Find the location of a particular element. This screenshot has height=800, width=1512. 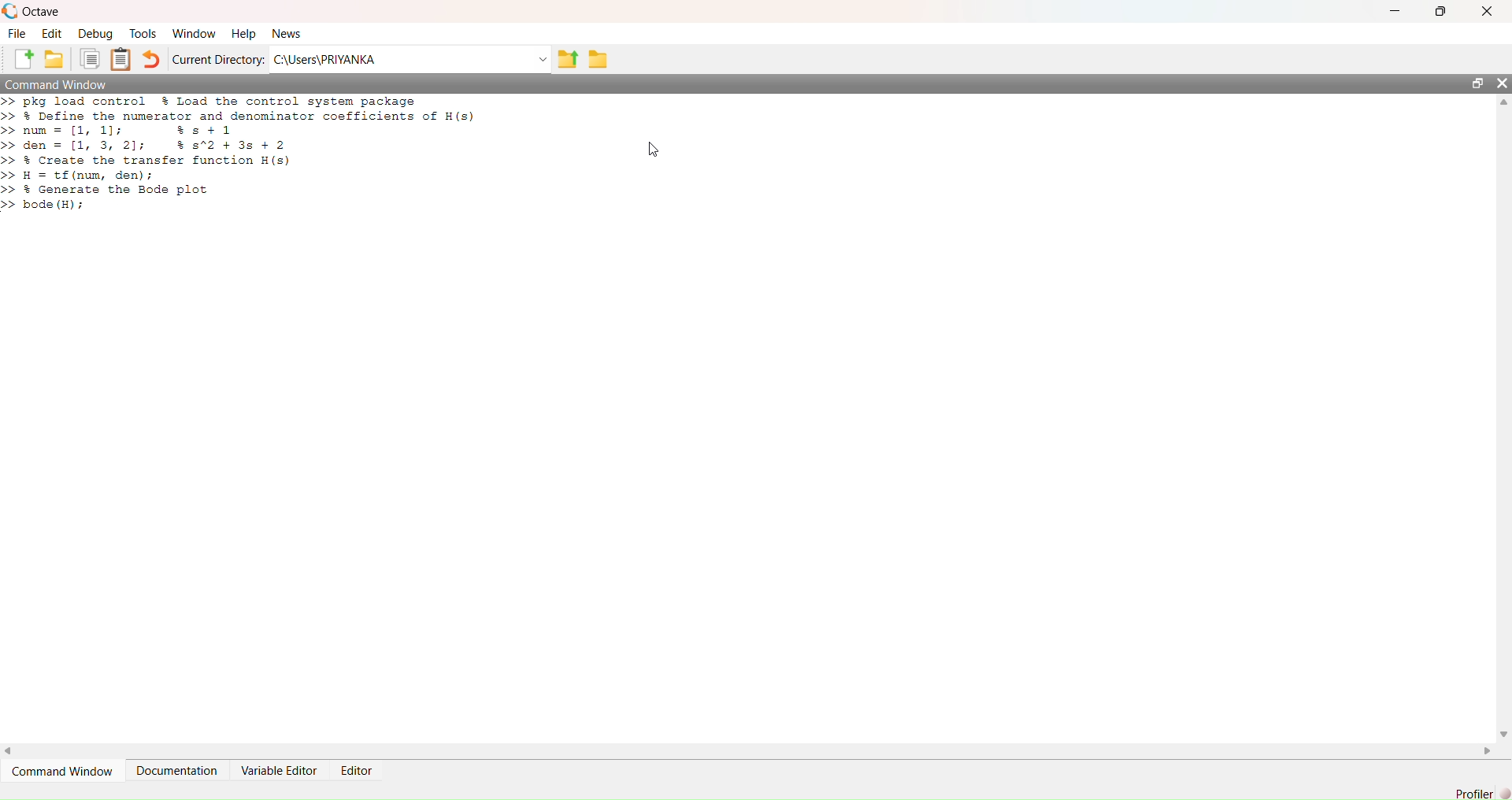

Octave logo is located at coordinates (10, 11).